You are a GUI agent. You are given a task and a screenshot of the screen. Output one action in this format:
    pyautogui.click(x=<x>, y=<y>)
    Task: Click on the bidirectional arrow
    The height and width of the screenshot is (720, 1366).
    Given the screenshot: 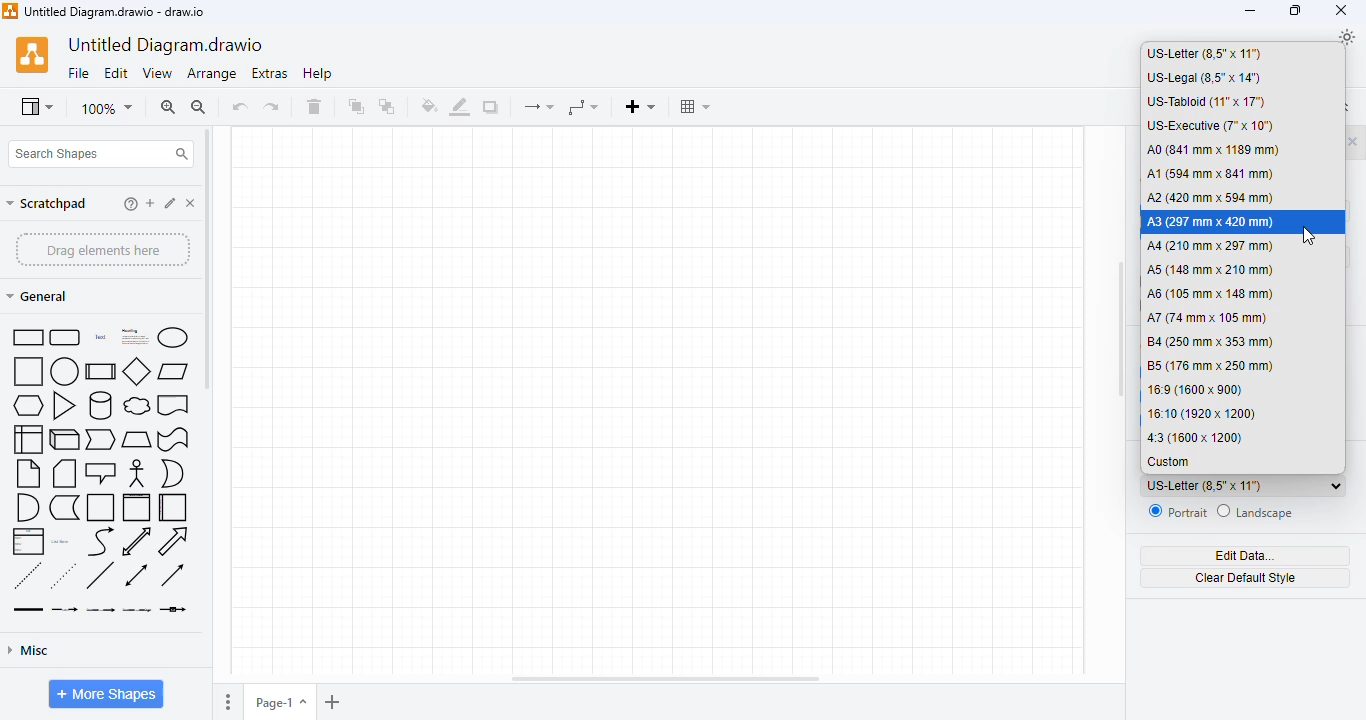 What is the action you would take?
    pyautogui.click(x=137, y=541)
    